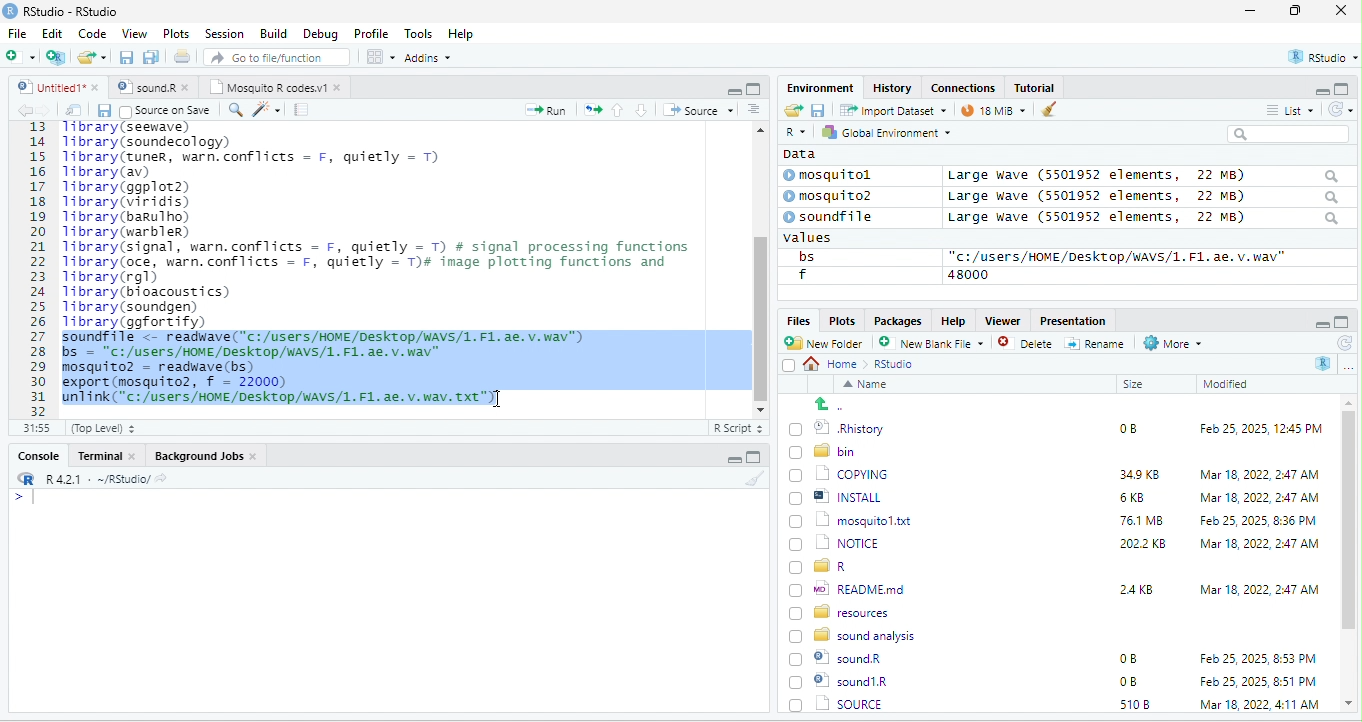 This screenshot has height=722, width=1362. Describe the element at coordinates (969, 274) in the screenshot. I see `48000` at that location.